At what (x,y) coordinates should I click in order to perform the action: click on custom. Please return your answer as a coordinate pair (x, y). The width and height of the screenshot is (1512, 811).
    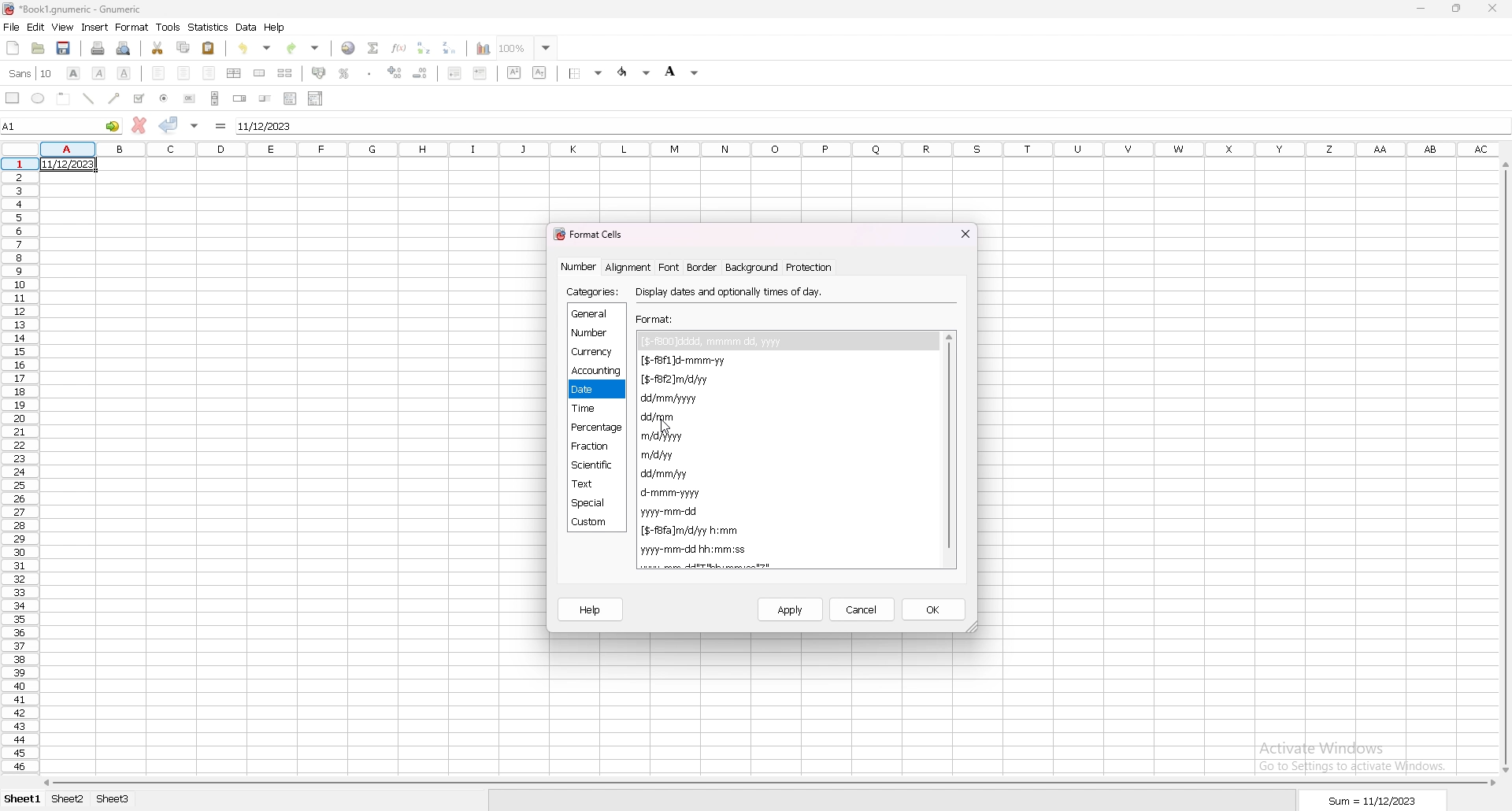
    Looking at the image, I should click on (594, 523).